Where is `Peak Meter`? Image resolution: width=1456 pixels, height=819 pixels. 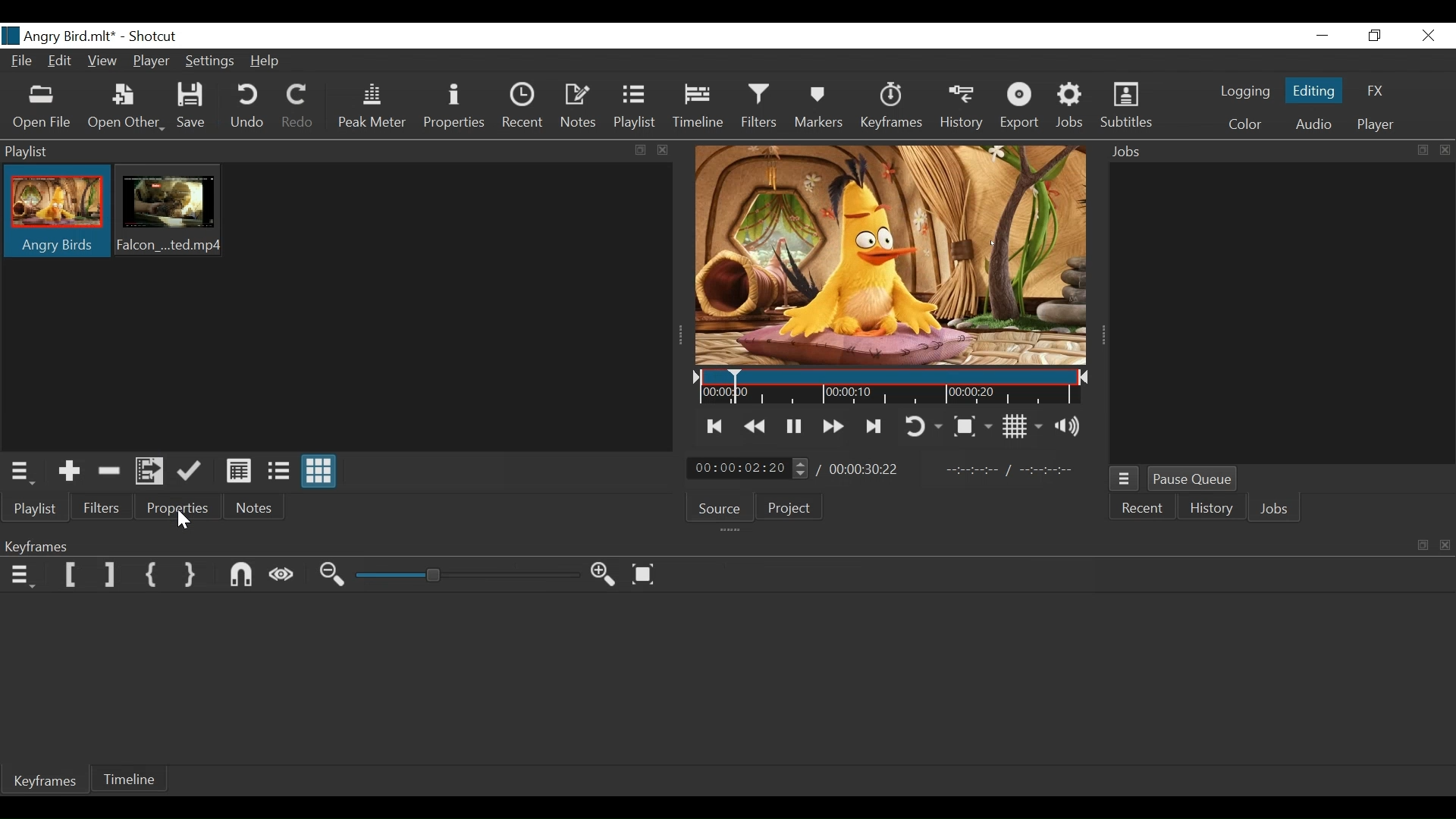 Peak Meter is located at coordinates (371, 108).